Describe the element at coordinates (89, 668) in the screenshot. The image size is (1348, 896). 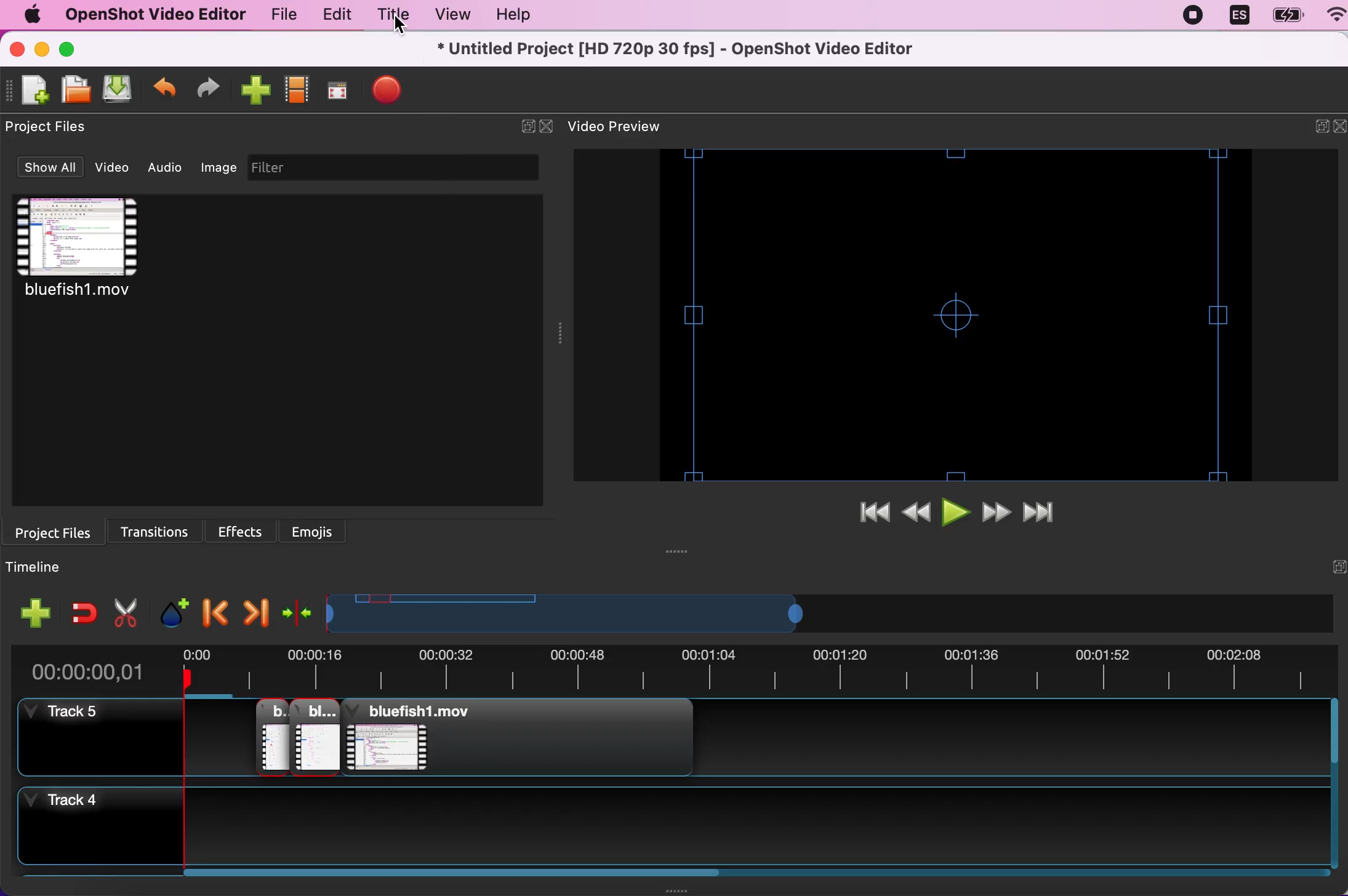
I see `00:00:00,01` at that location.